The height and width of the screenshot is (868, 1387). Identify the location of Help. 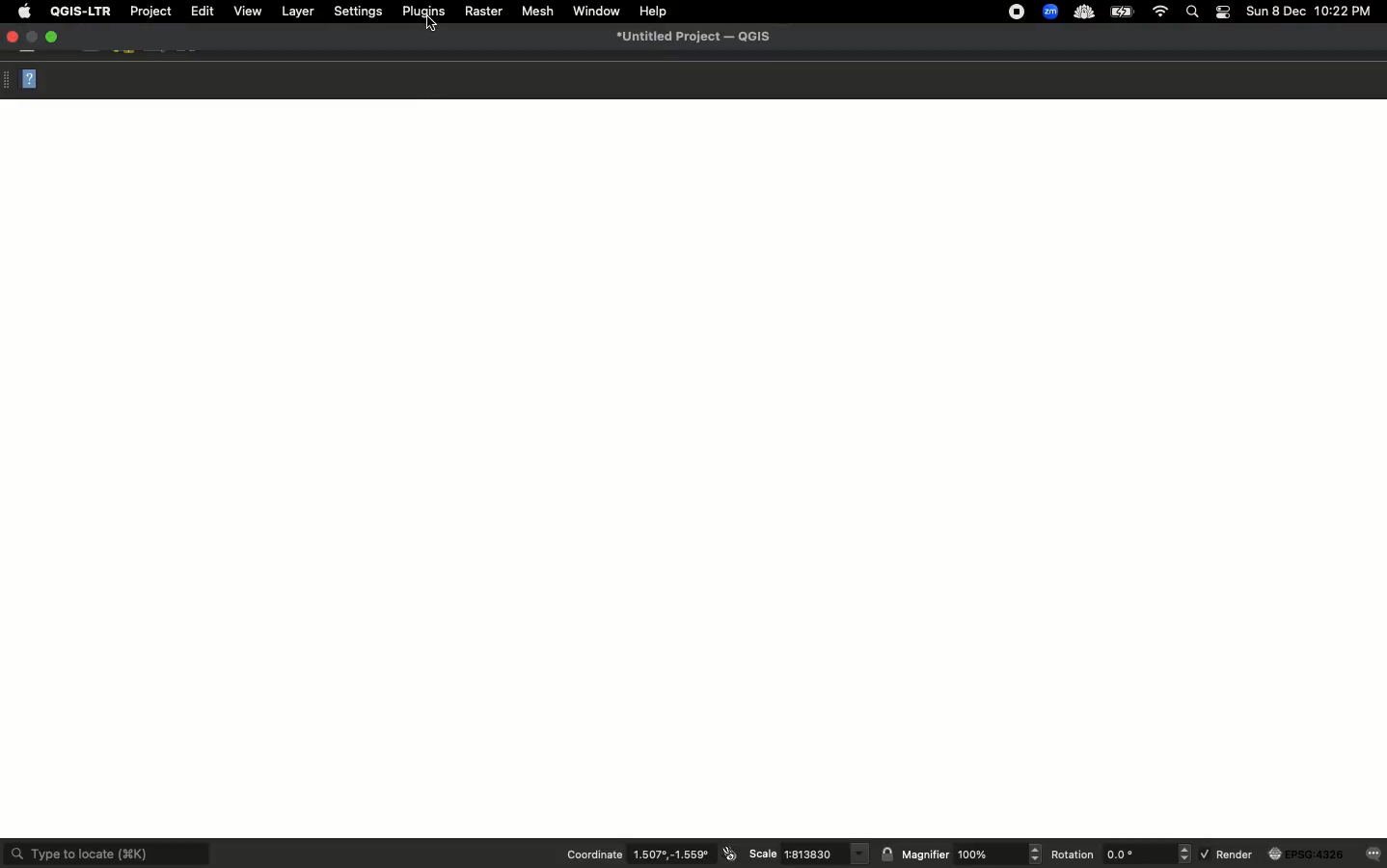
(652, 12).